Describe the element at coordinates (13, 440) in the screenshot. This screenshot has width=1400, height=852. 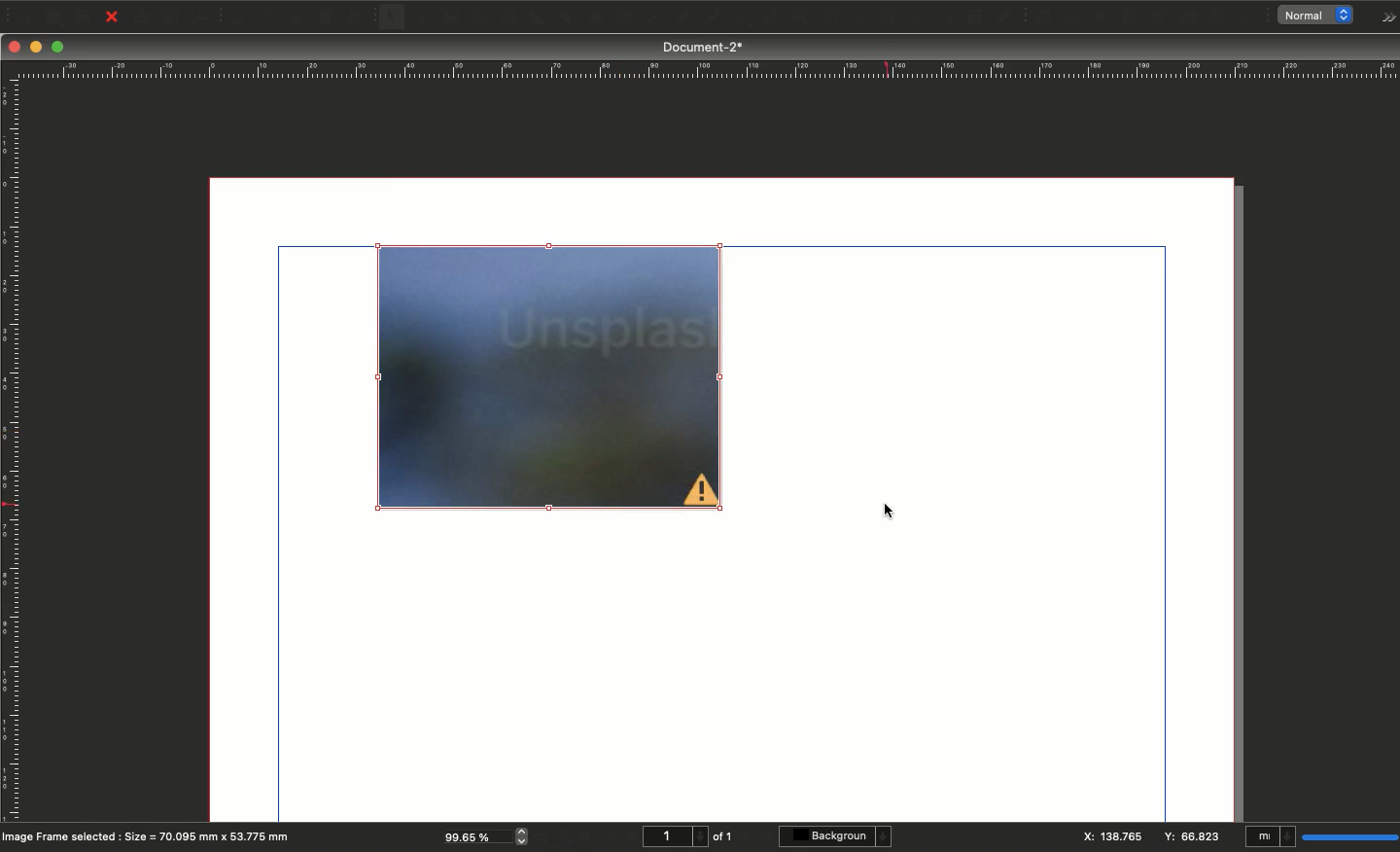
I see `Ruler` at that location.